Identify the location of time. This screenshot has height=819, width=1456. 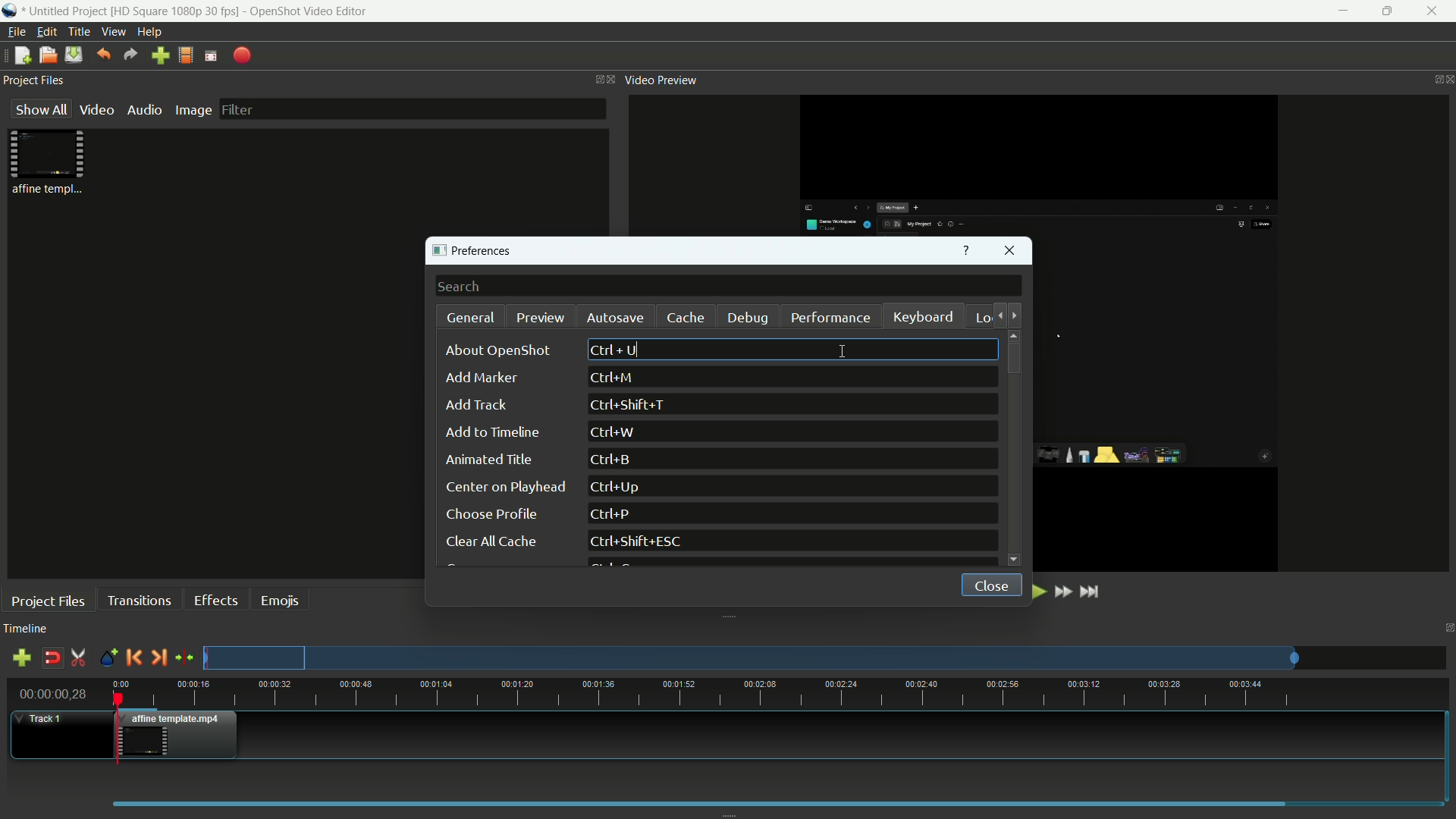
(780, 694).